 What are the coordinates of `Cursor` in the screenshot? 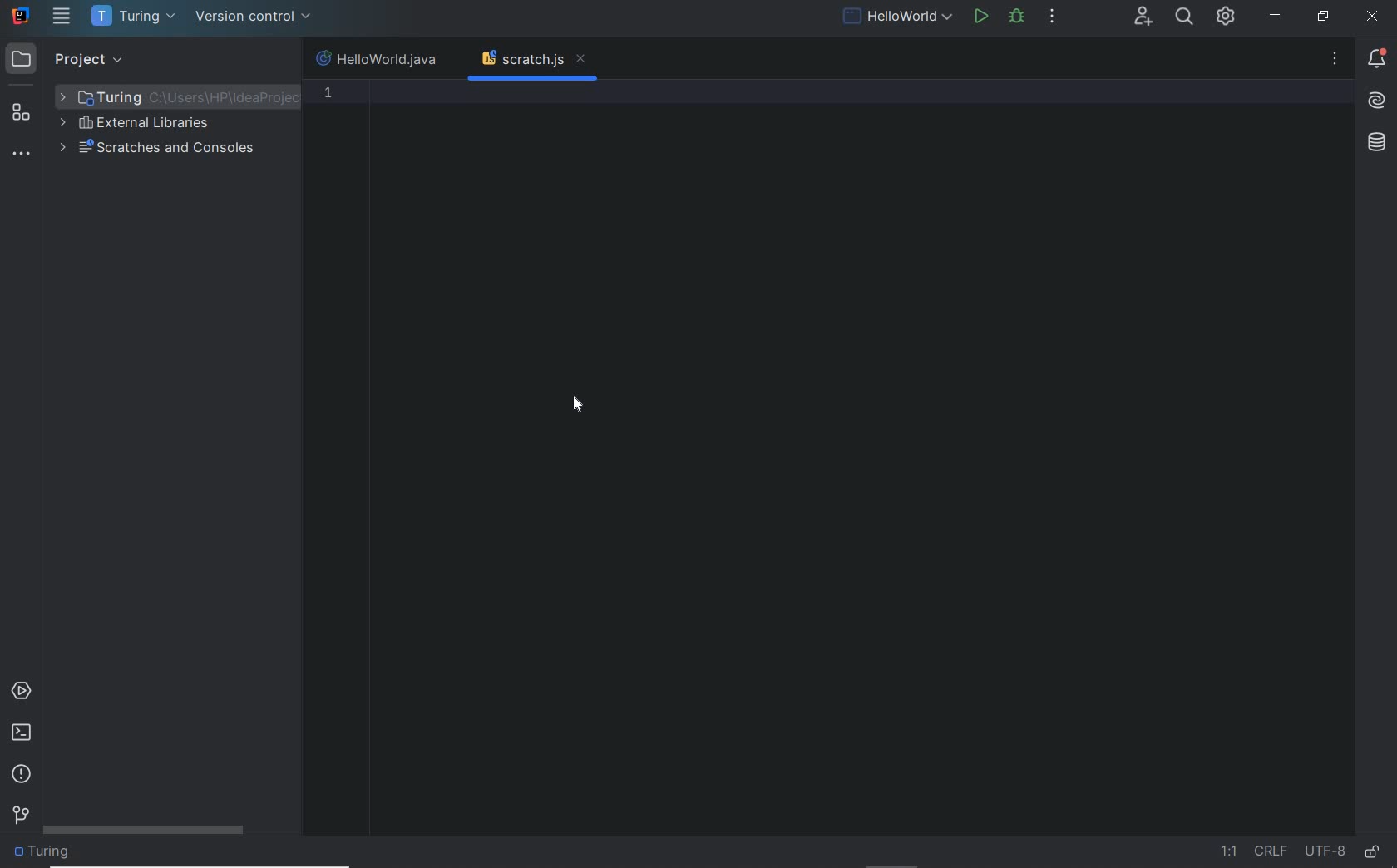 It's located at (579, 403).